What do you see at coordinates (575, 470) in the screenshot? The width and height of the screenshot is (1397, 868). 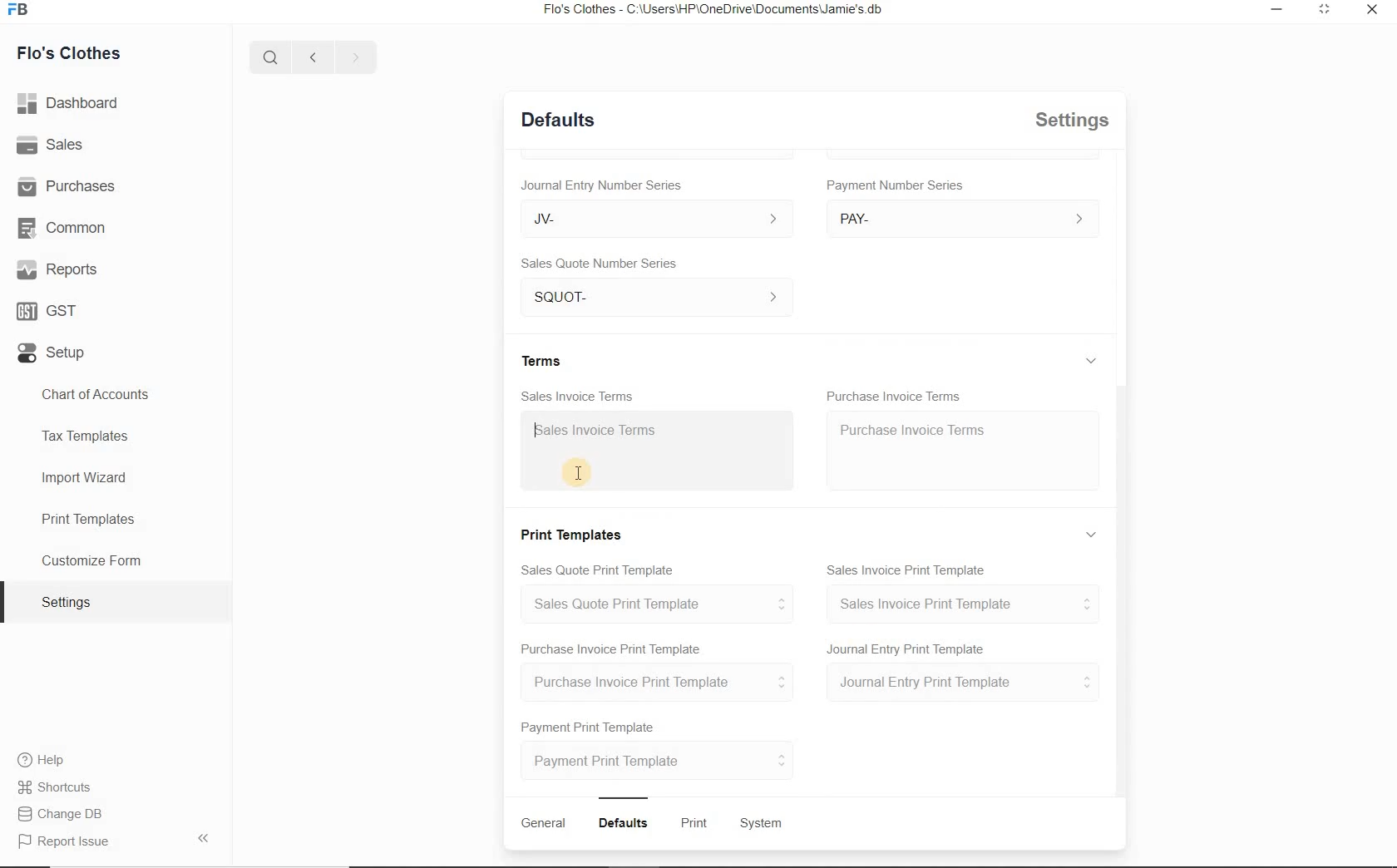 I see `Text Cursor` at bounding box center [575, 470].